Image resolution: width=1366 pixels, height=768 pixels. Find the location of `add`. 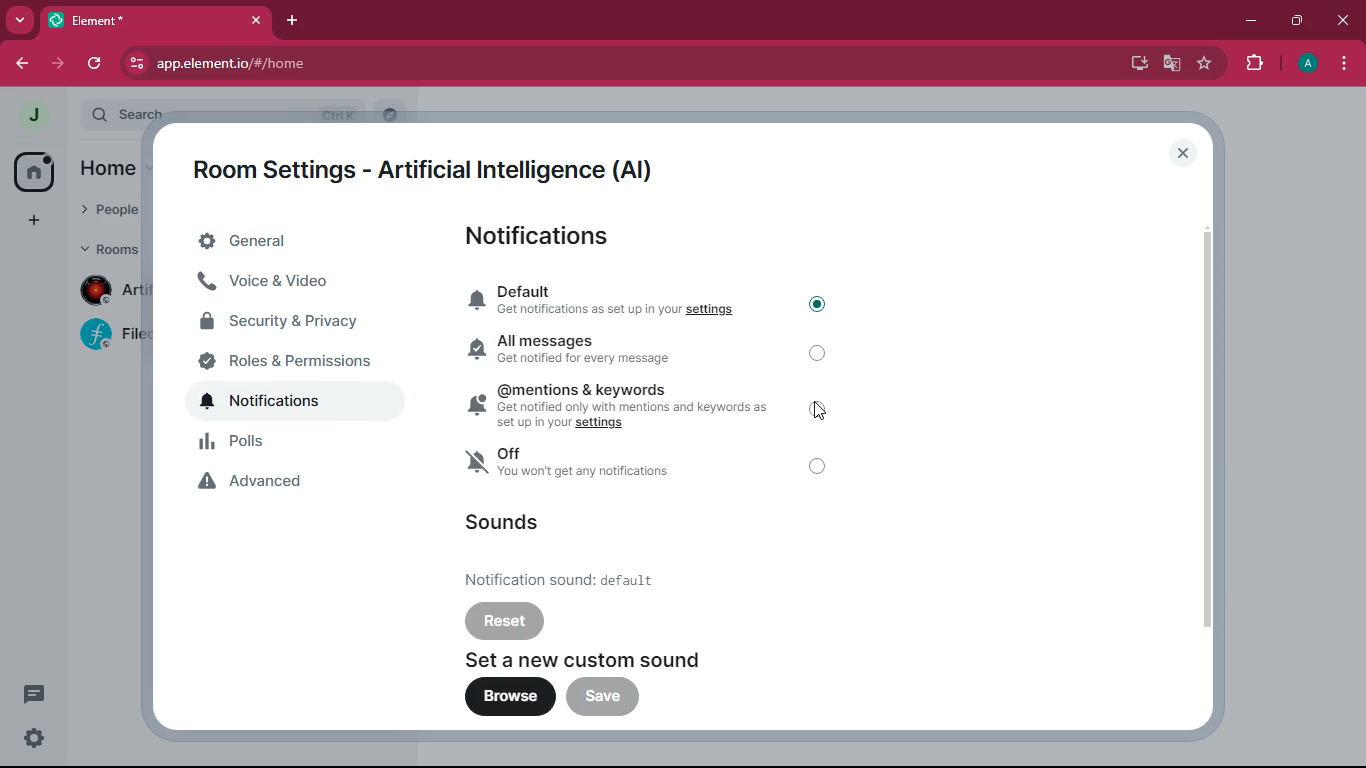

add is located at coordinates (34, 224).